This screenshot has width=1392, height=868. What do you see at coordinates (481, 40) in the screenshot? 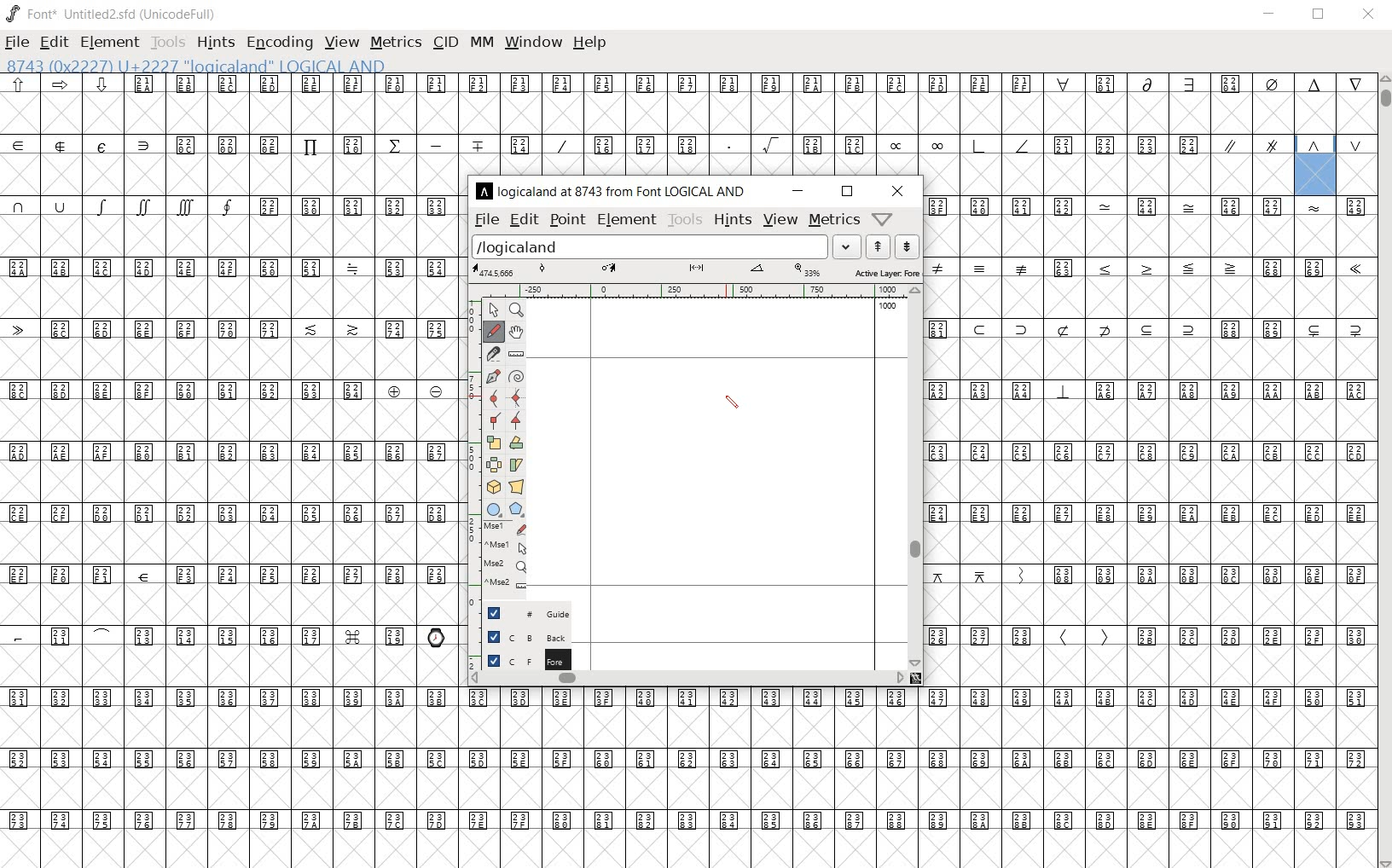
I see `mm` at bounding box center [481, 40].